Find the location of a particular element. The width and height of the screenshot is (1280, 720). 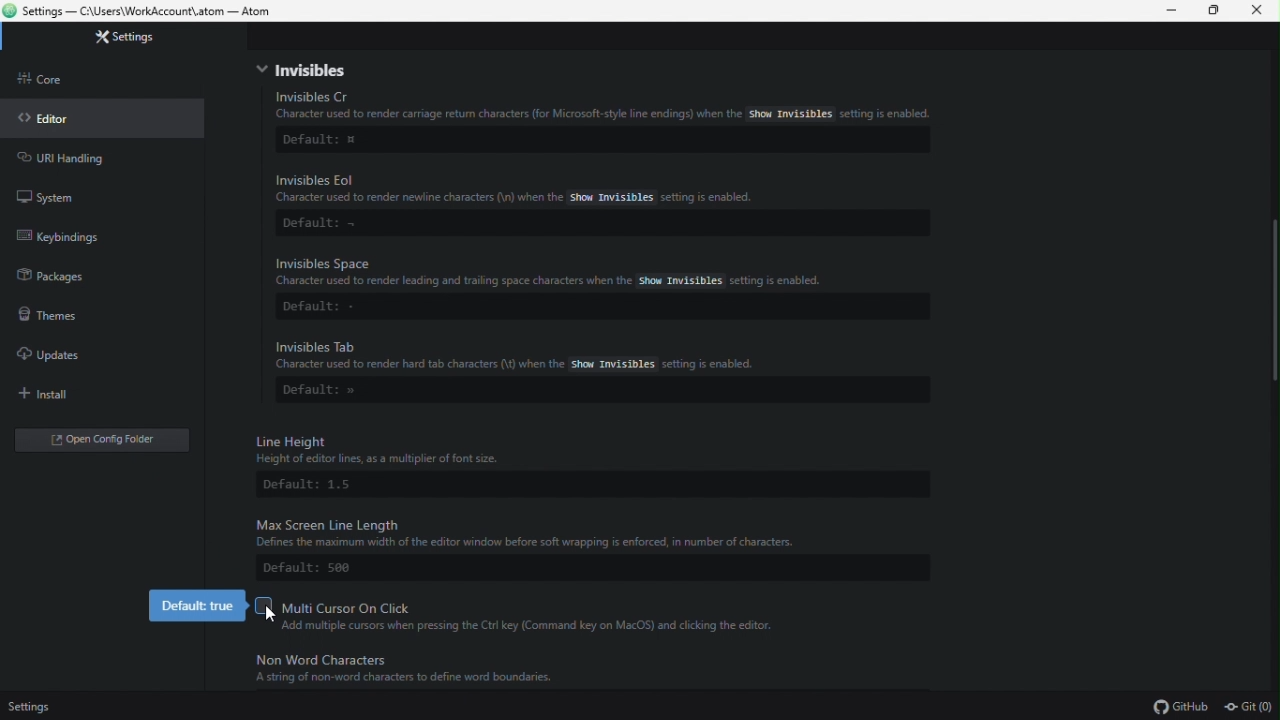

Invisibles Eol Character used to render newline characters (\n) when the Show invisibles setting is enabled. is located at coordinates (527, 188).